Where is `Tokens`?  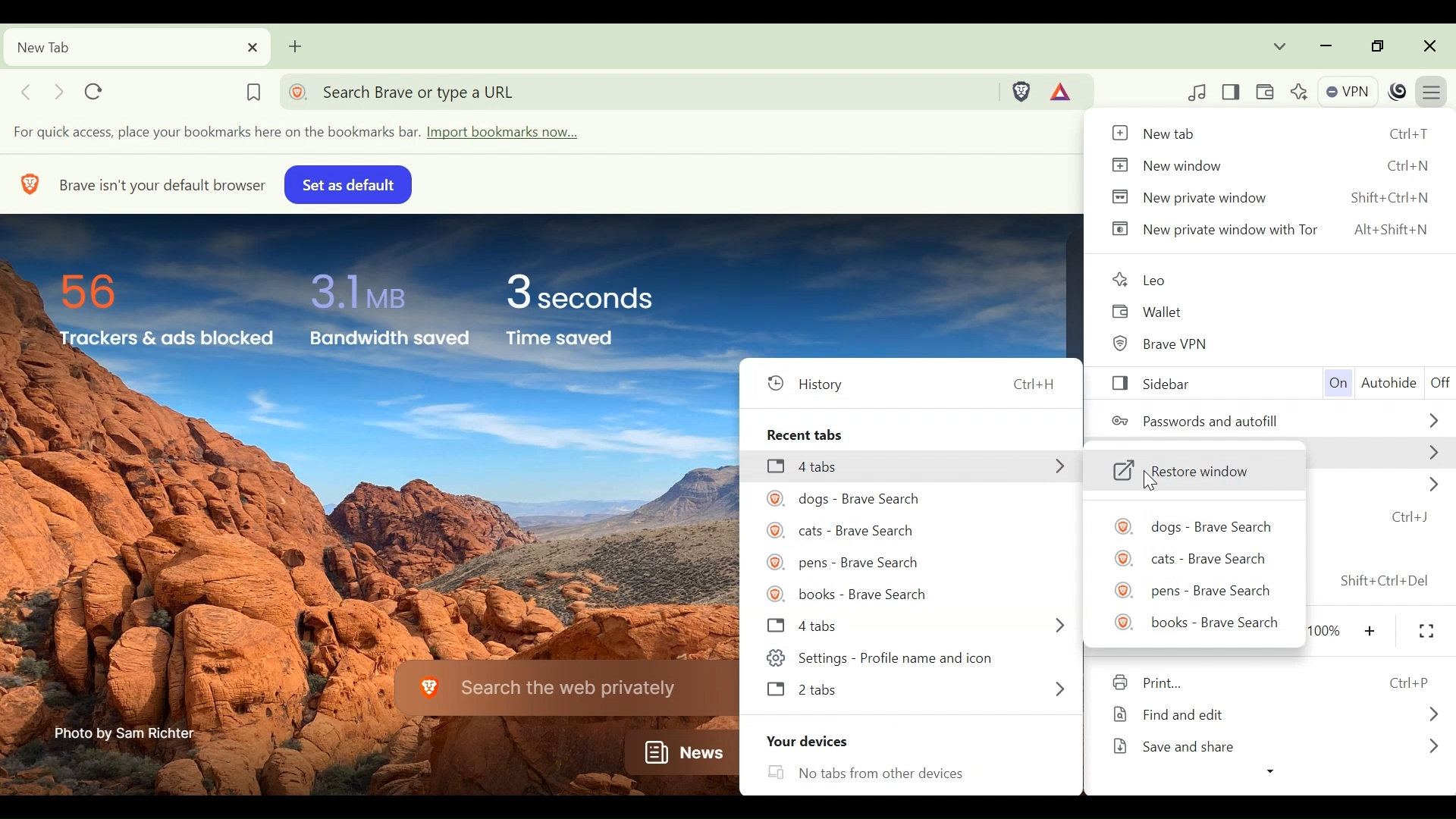 Tokens is located at coordinates (1065, 91).